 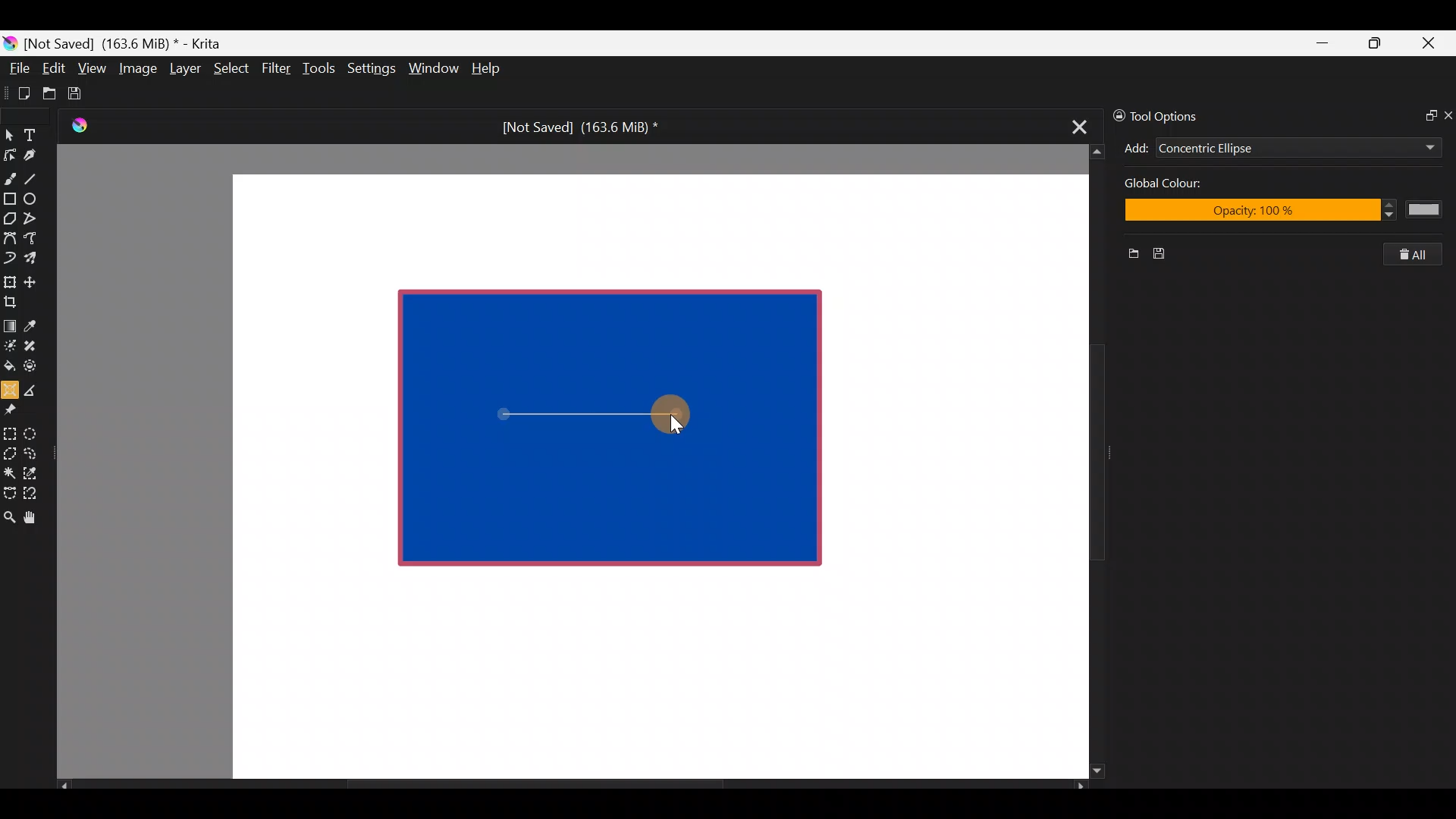 What do you see at coordinates (277, 67) in the screenshot?
I see `Filter` at bounding box center [277, 67].